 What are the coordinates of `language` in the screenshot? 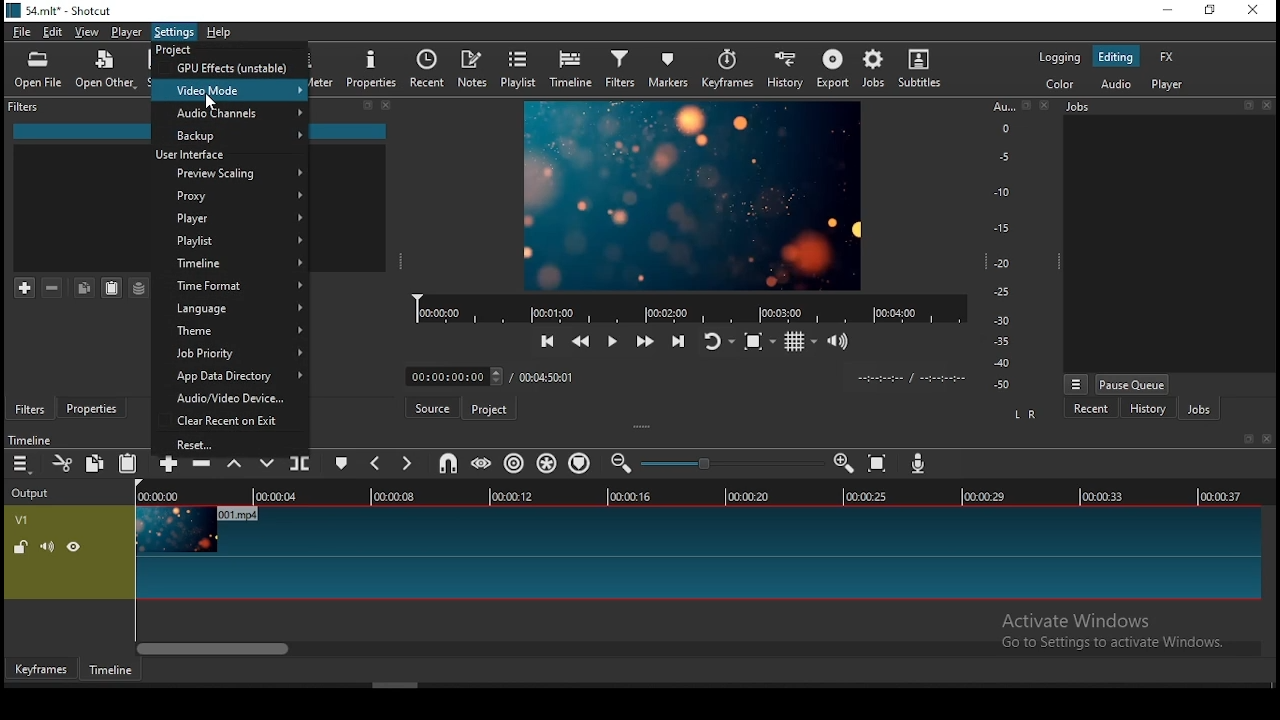 It's located at (231, 309).